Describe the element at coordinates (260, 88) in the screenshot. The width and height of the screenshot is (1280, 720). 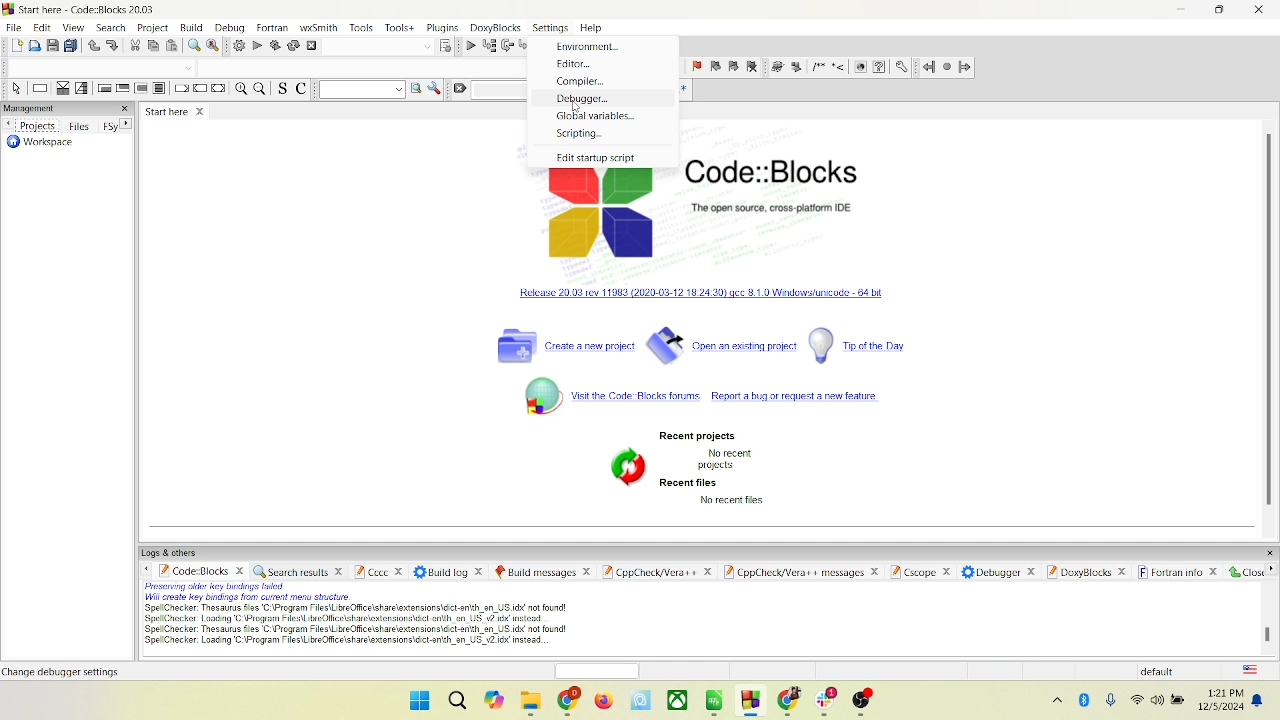
I see `zoom out` at that location.